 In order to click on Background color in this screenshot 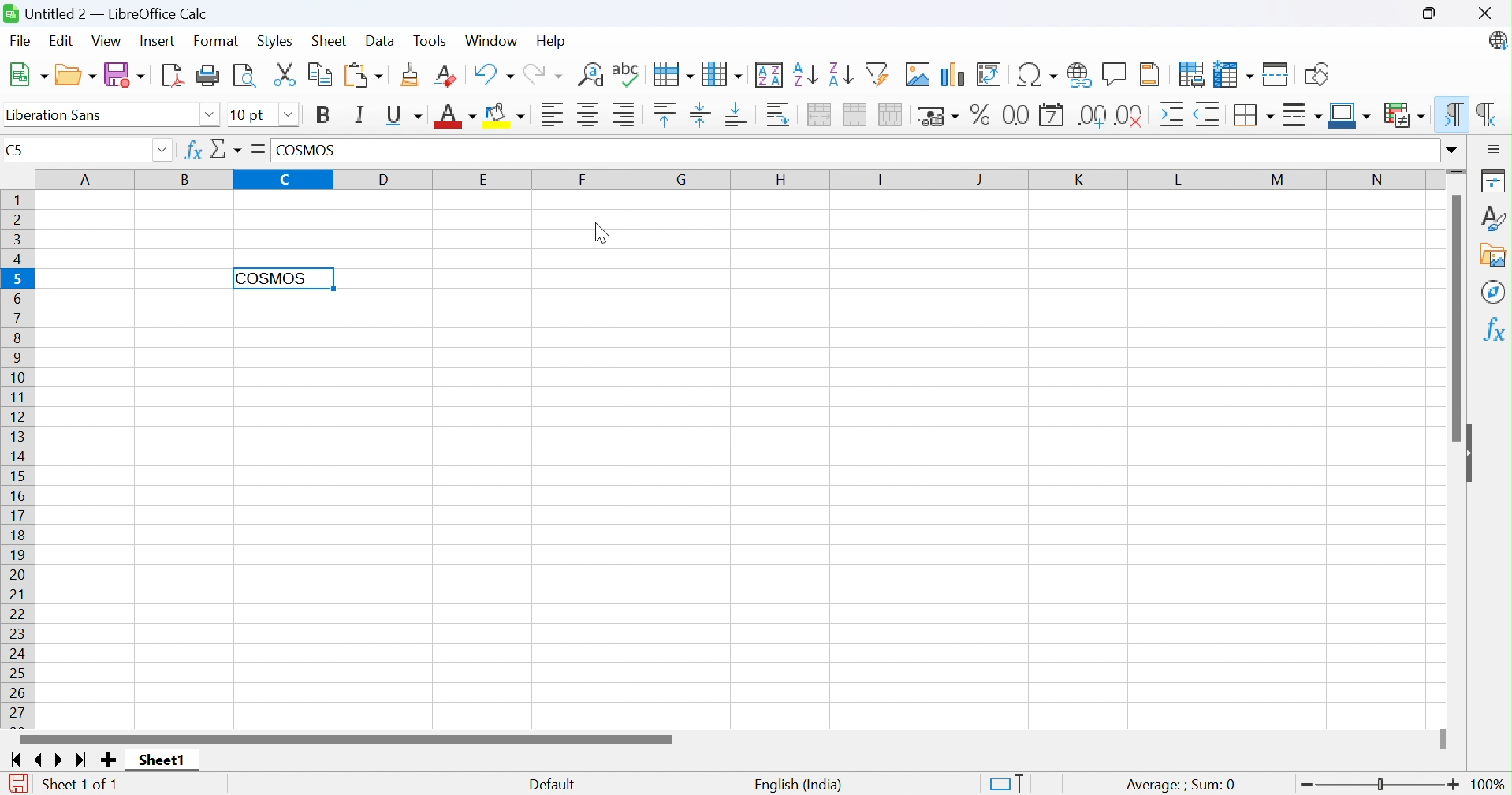, I will do `click(505, 115)`.